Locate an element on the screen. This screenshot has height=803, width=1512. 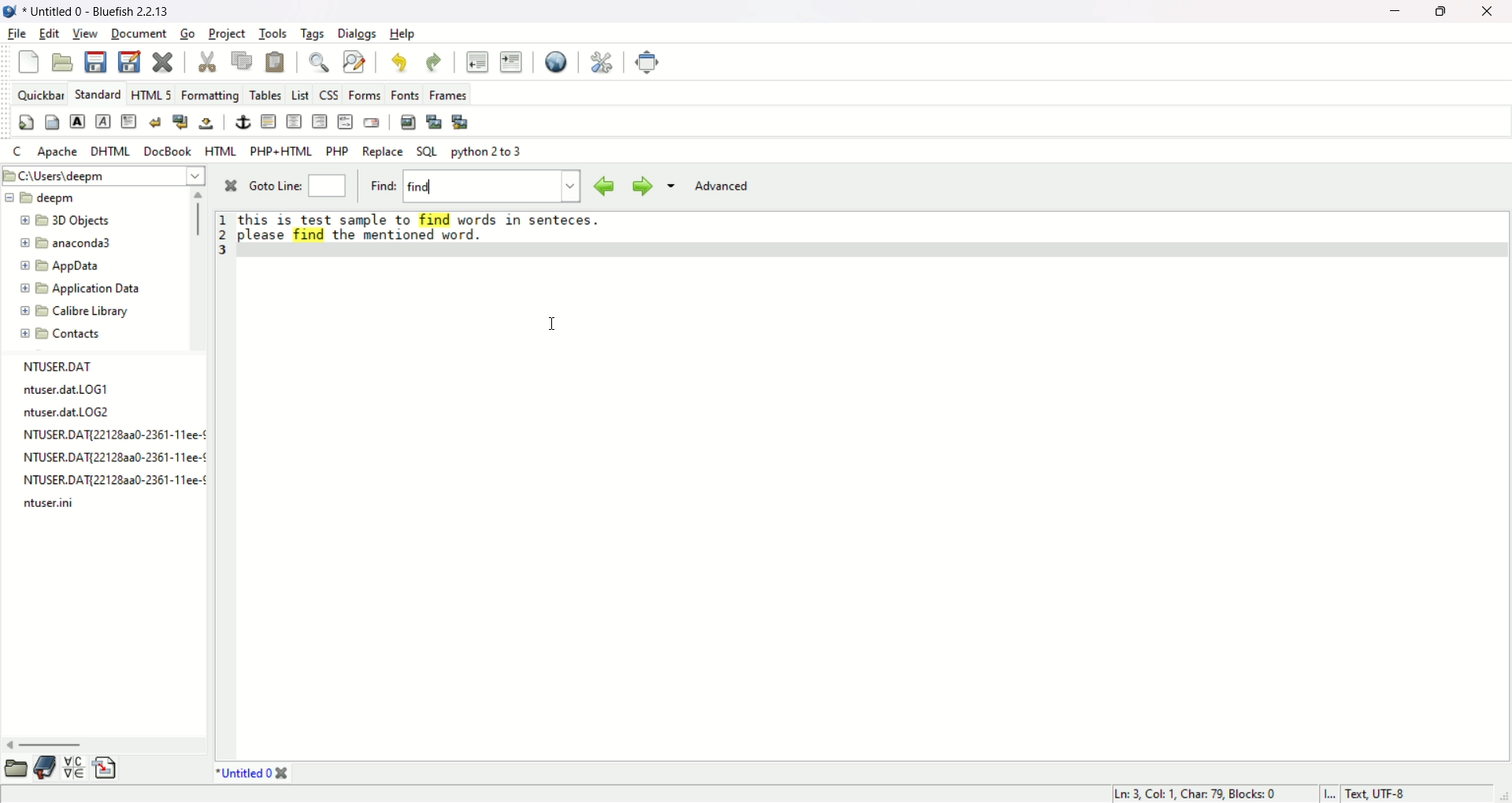
strong is located at coordinates (76, 121).